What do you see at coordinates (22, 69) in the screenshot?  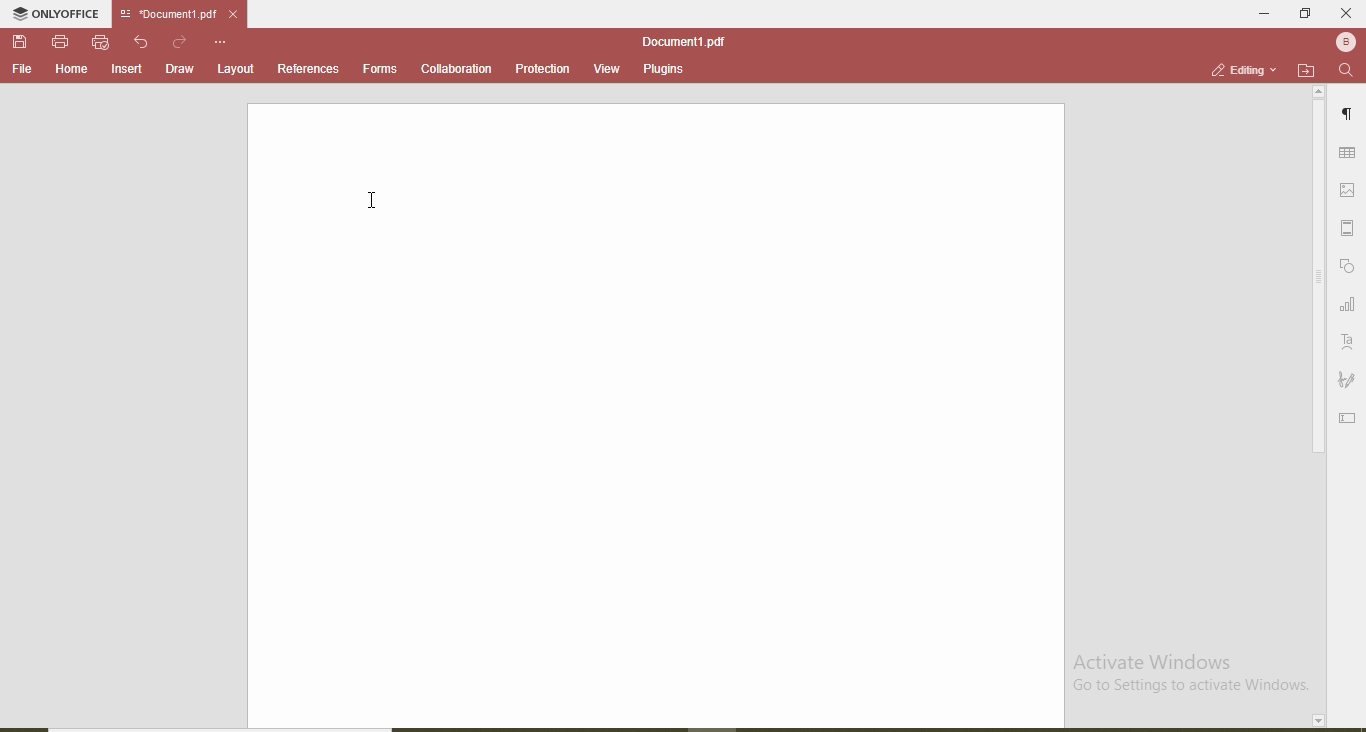 I see `file` at bounding box center [22, 69].